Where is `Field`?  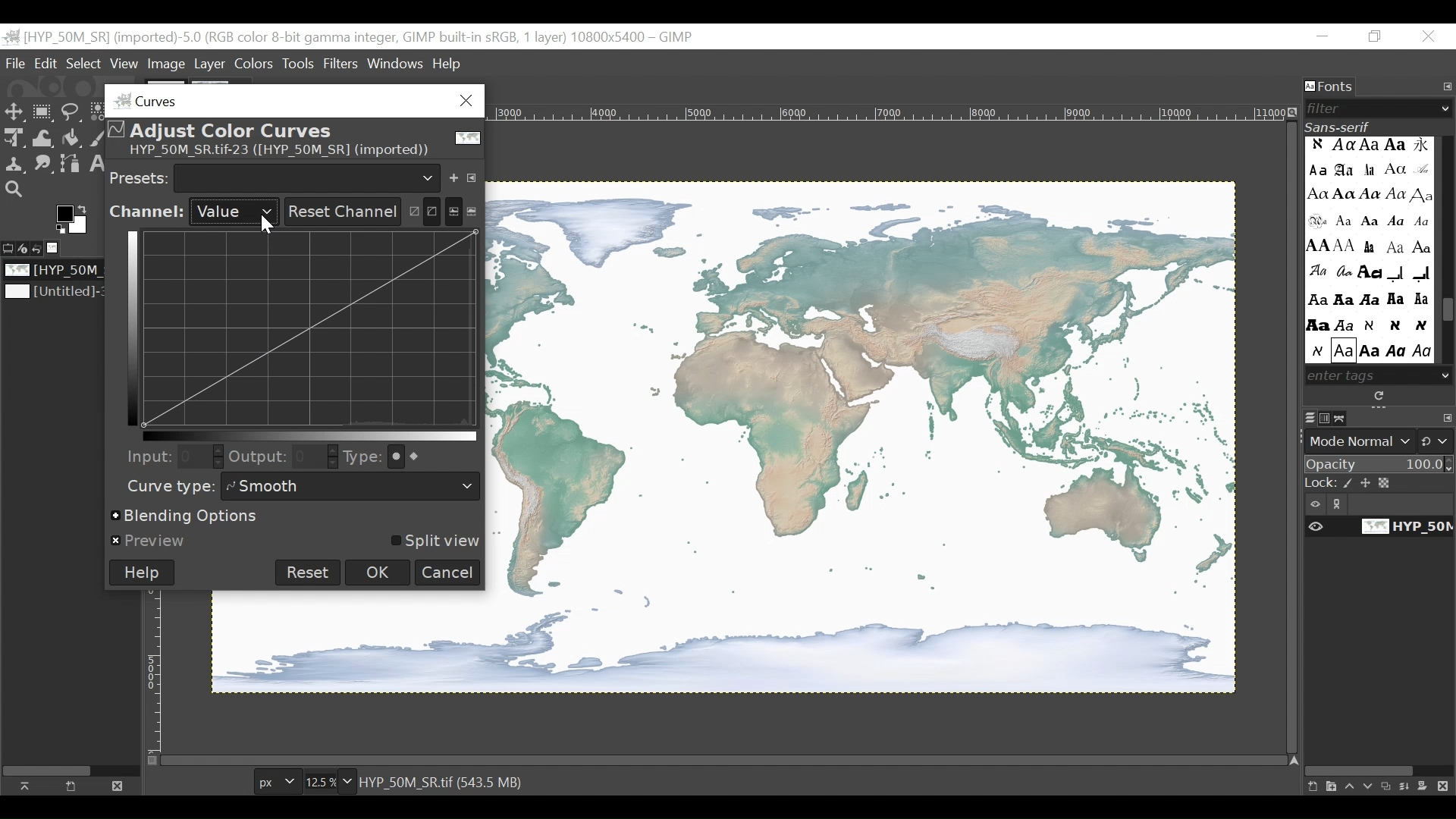
Field is located at coordinates (316, 457).